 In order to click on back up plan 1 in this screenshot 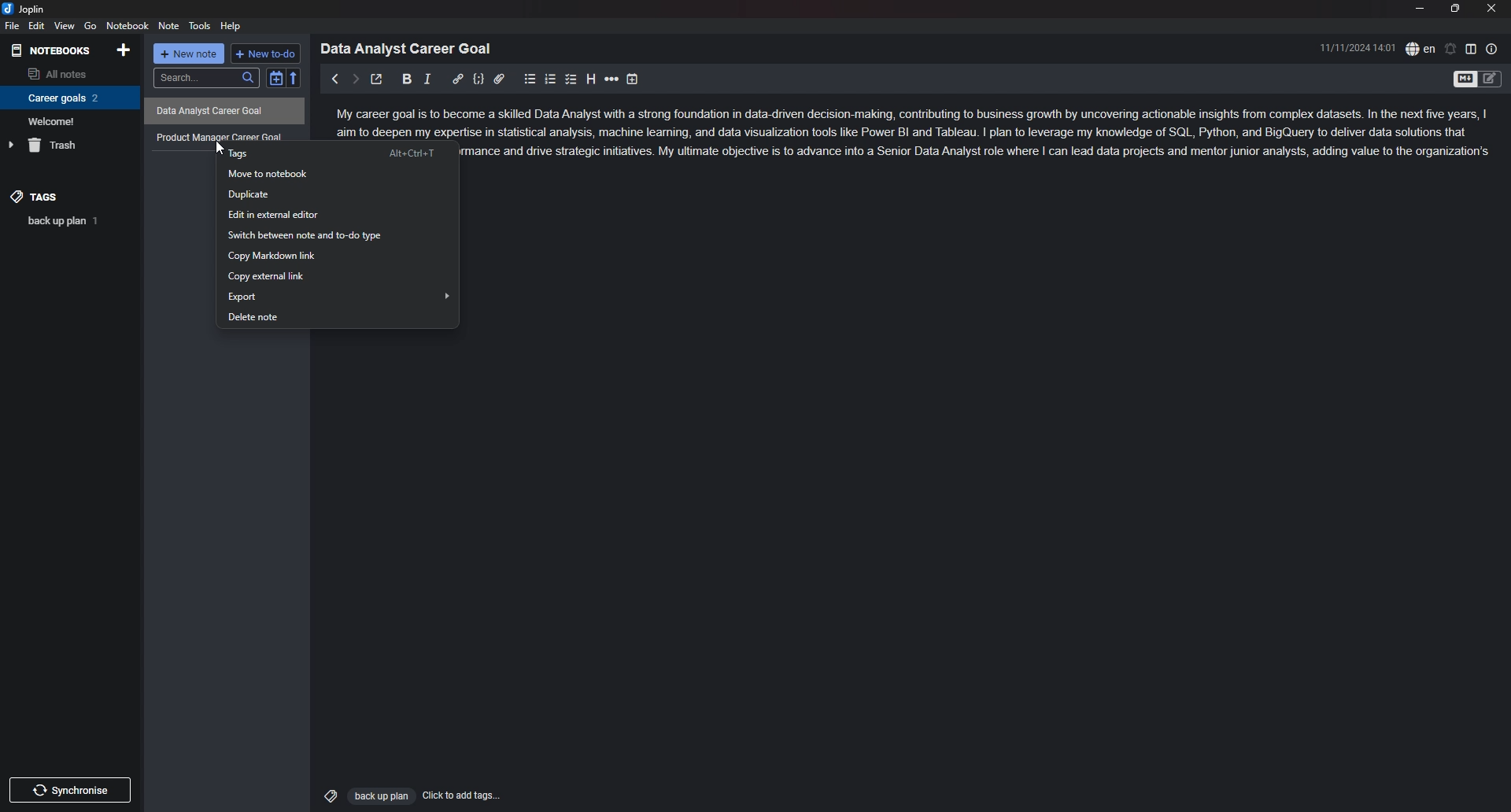, I will do `click(72, 220)`.